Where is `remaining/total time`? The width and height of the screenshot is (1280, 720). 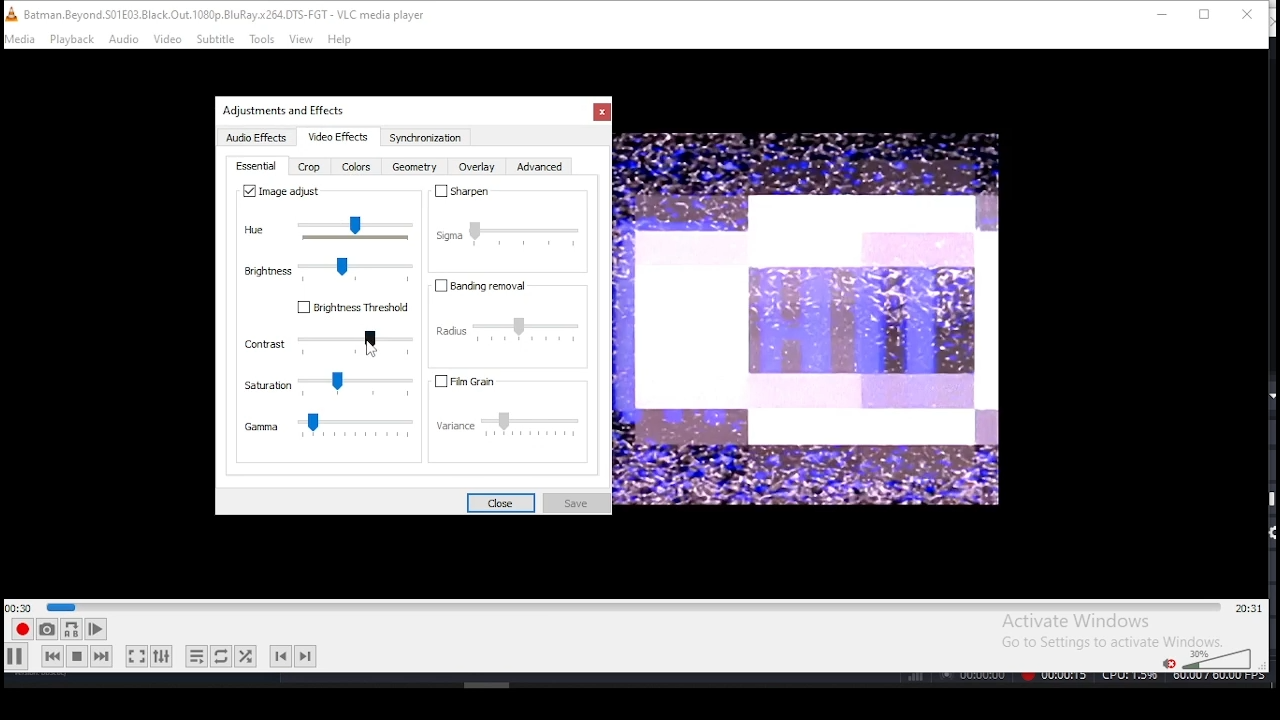 remaining/total time is located at coordinates (1248, 608).